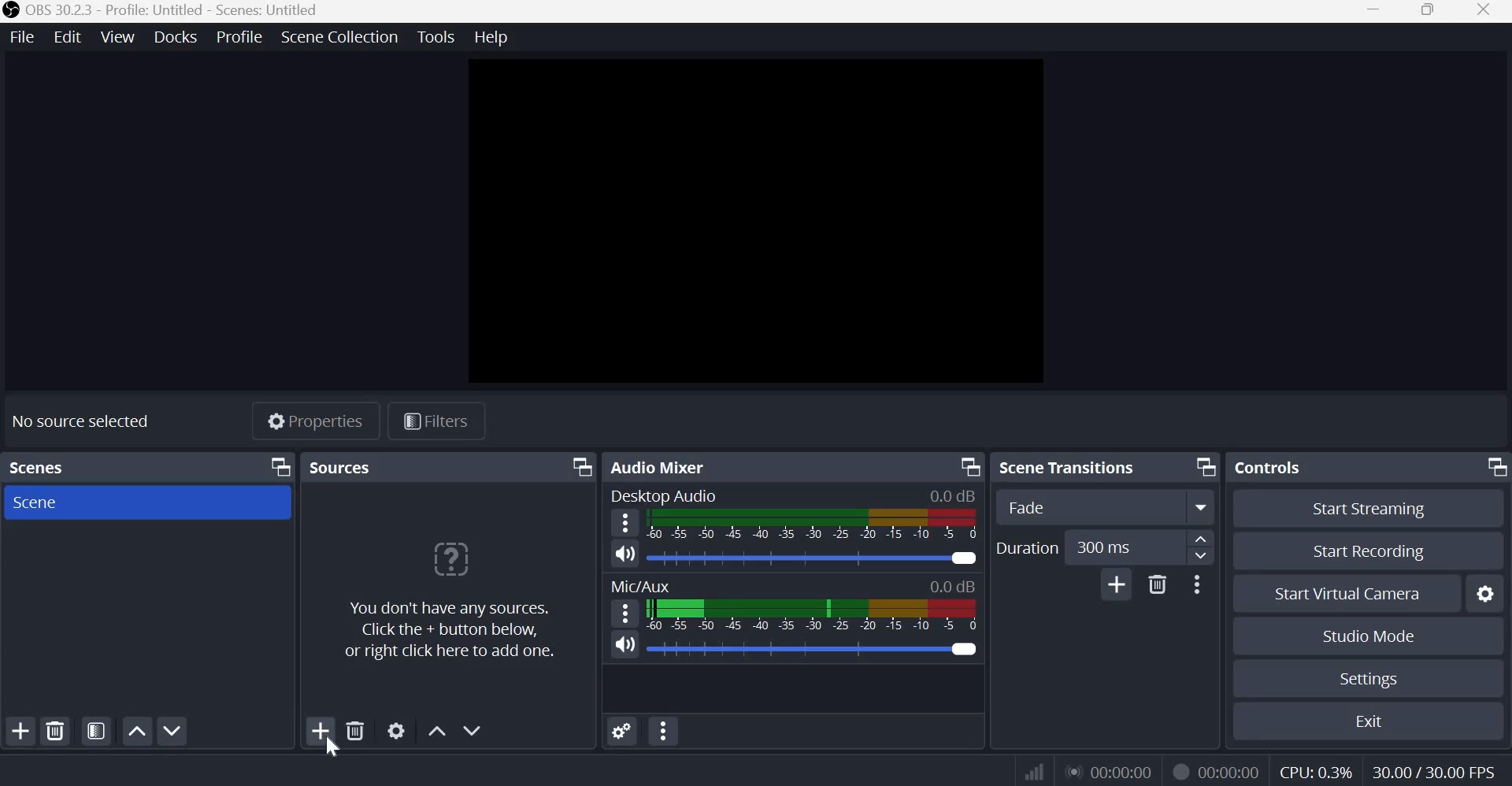  What do you see at coordinates (11, 11) in the screenshot?
I see `OBS studio logo` at bounding box center [11, 11].